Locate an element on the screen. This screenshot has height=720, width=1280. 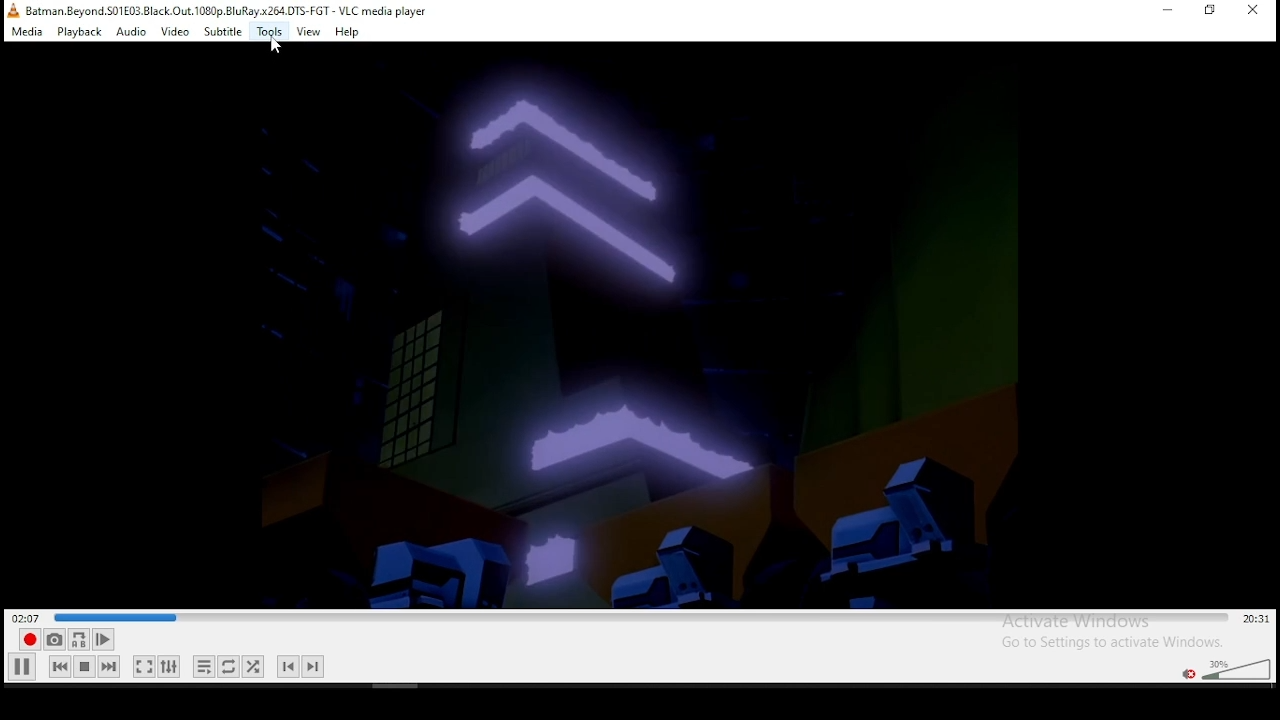
previous chapter is located at coordinates (287, 667).